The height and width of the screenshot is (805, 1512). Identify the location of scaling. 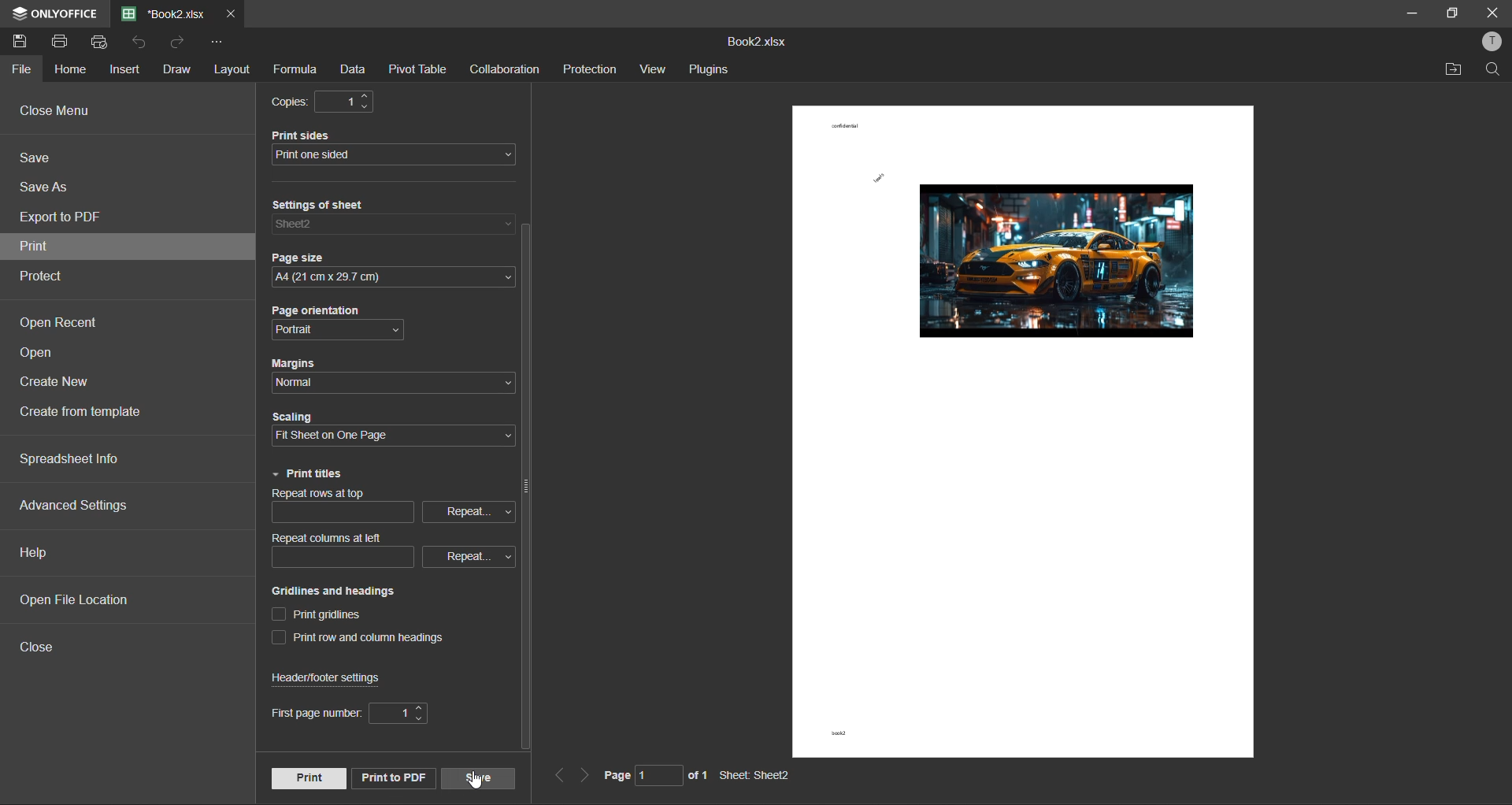
(394, 436).